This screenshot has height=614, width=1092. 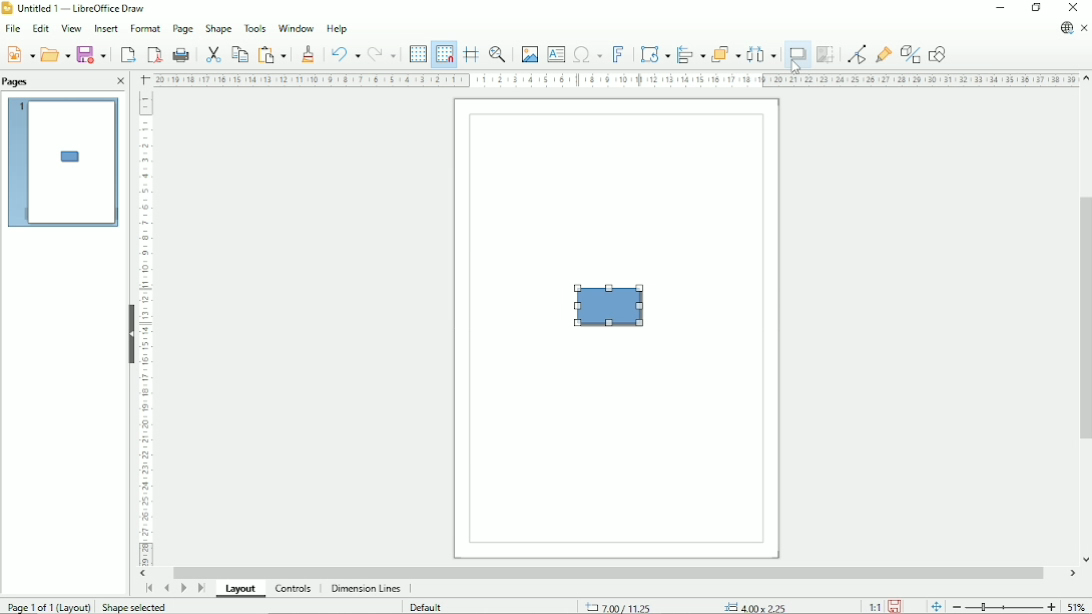 I want to click on Format, so click(x=148, y=28).